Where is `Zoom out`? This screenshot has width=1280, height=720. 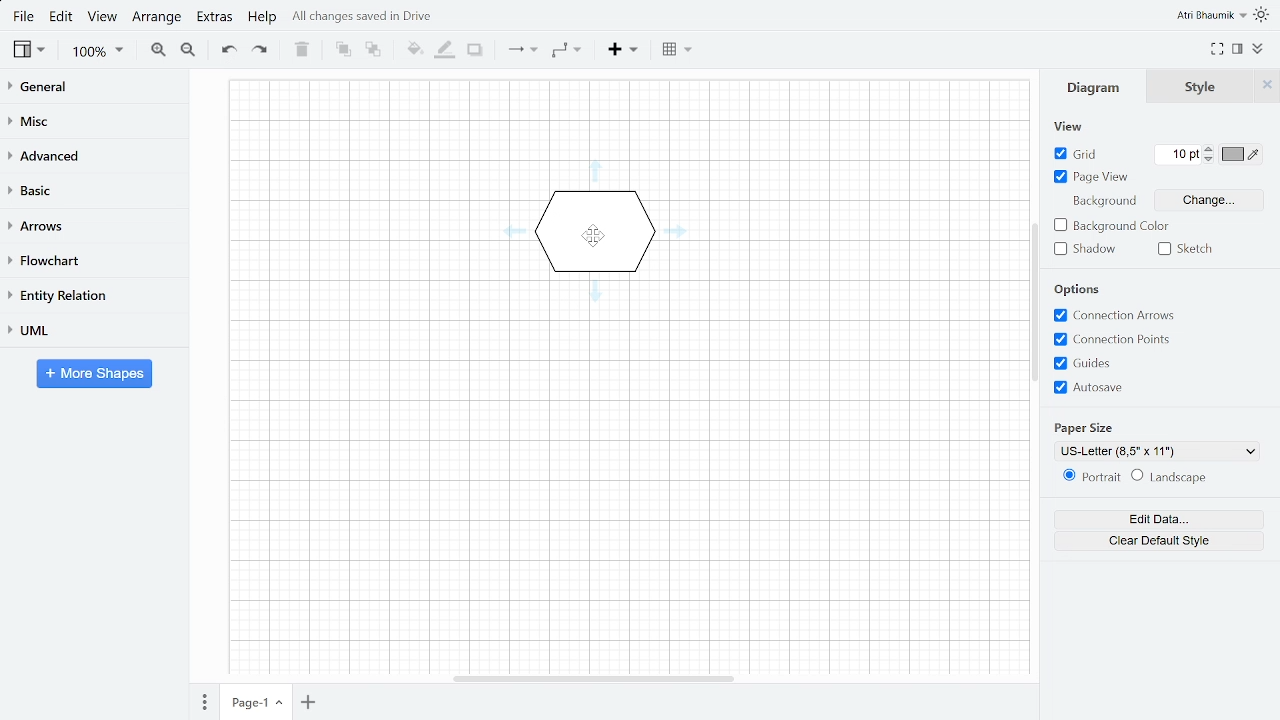
Zoom out is located at coordinates (188, 49).